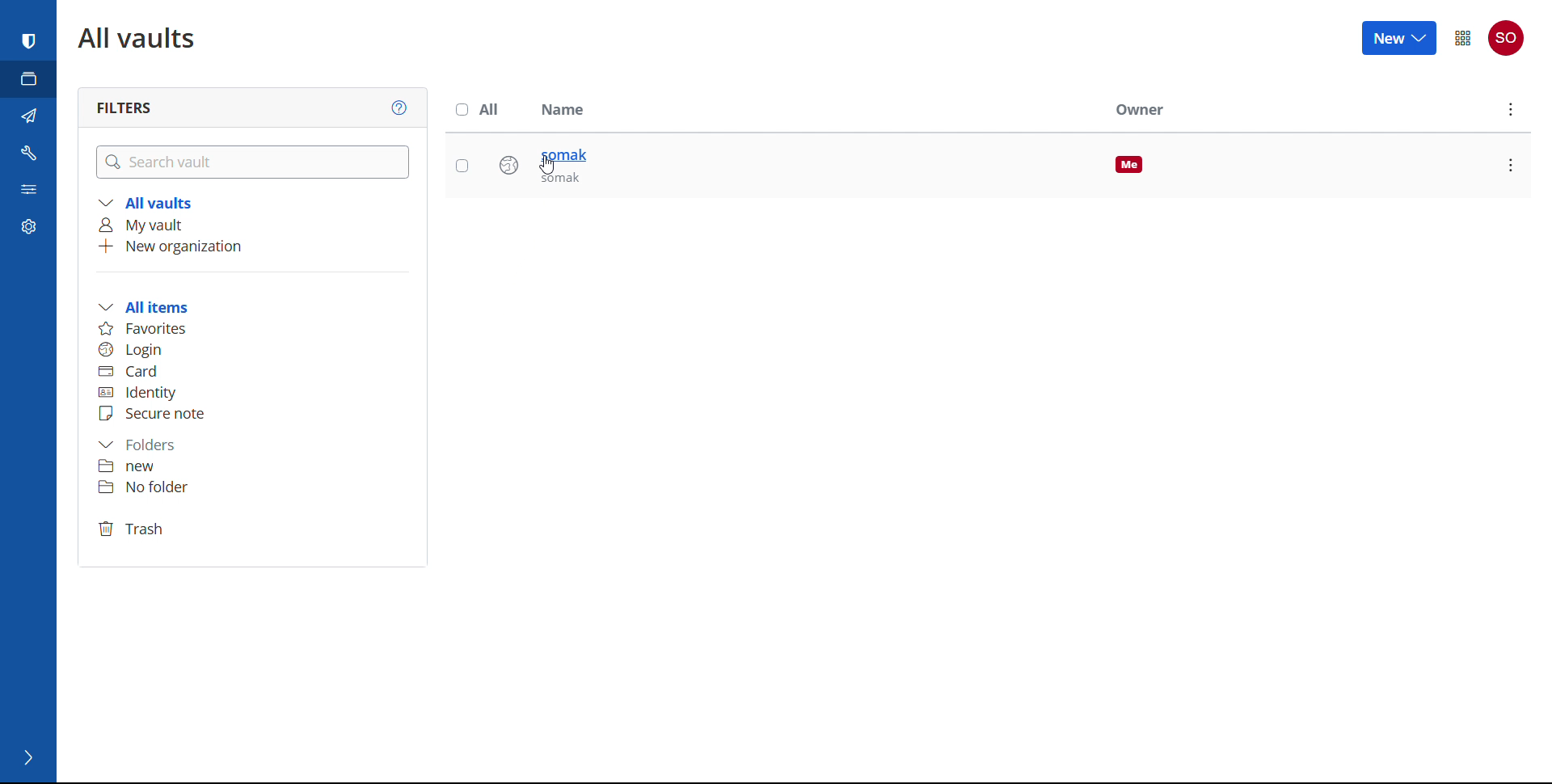 The height and width of the screenshot is (784, 1552). Describe the element at coordinates (249, 247) in the screenshot. I see `add new organization` at that location.